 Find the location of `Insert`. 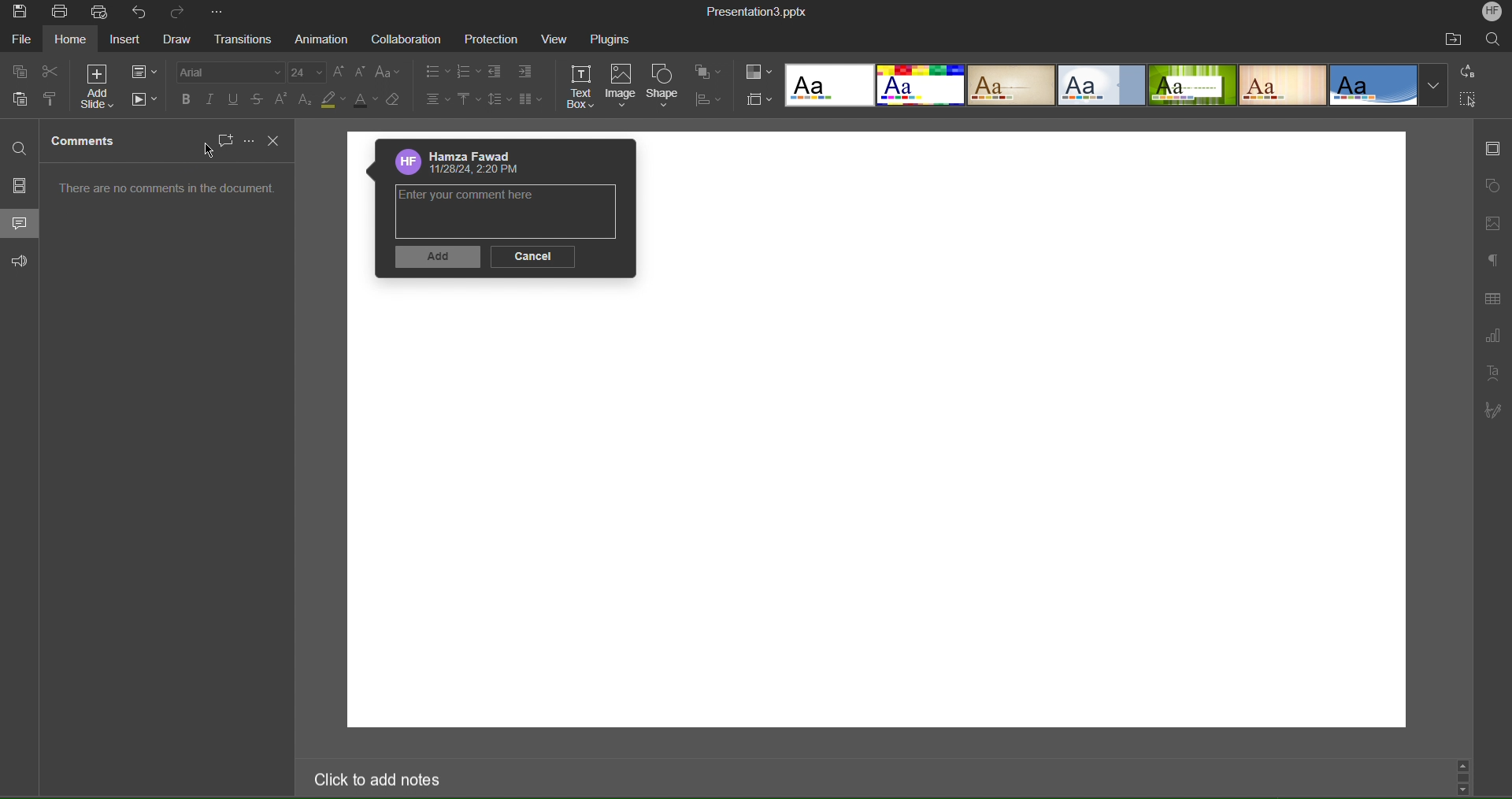

Insert is located at coordinates (127, 42).